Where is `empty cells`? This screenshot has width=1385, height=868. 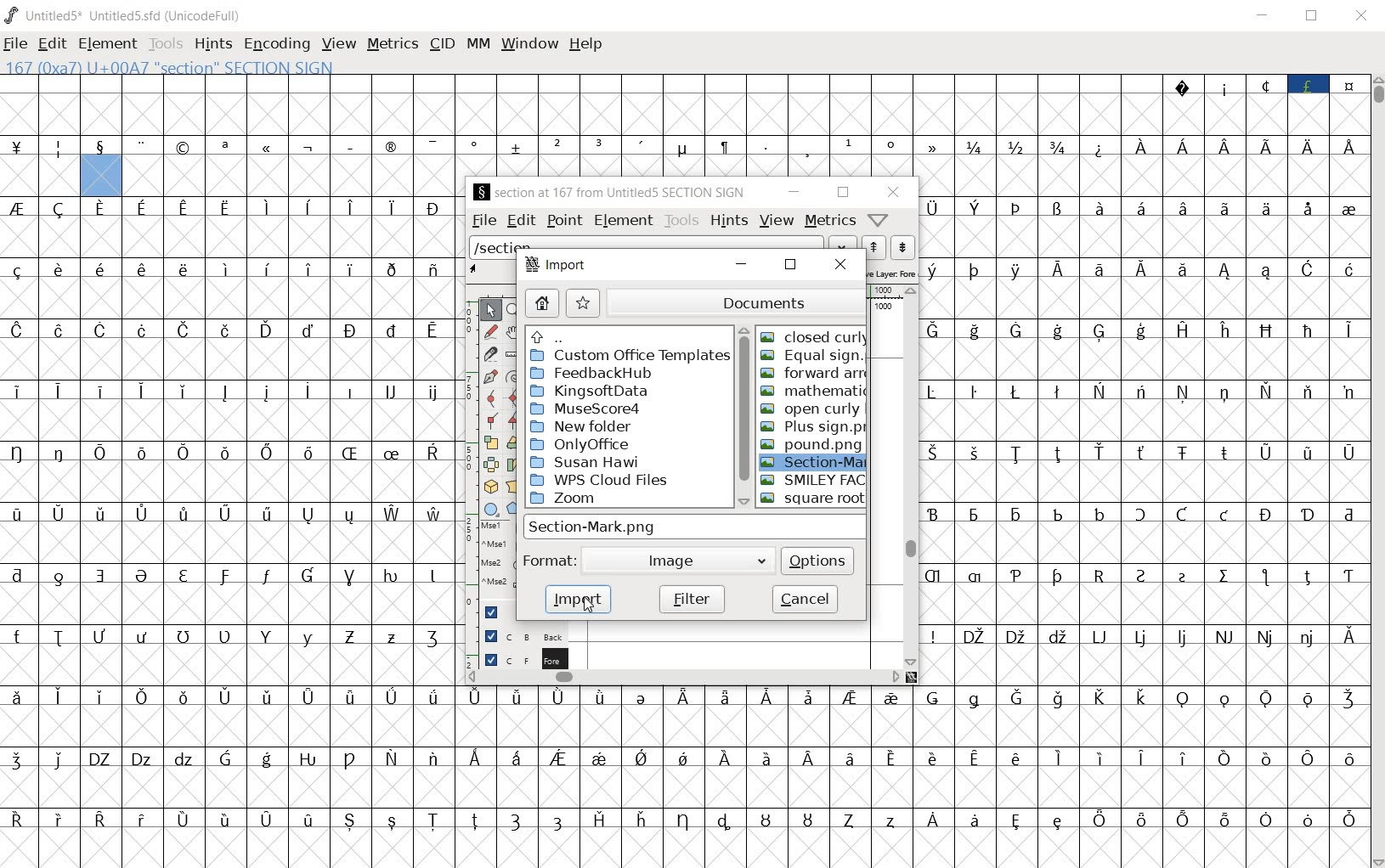
empty cells is located at coordinates (1143, 665).